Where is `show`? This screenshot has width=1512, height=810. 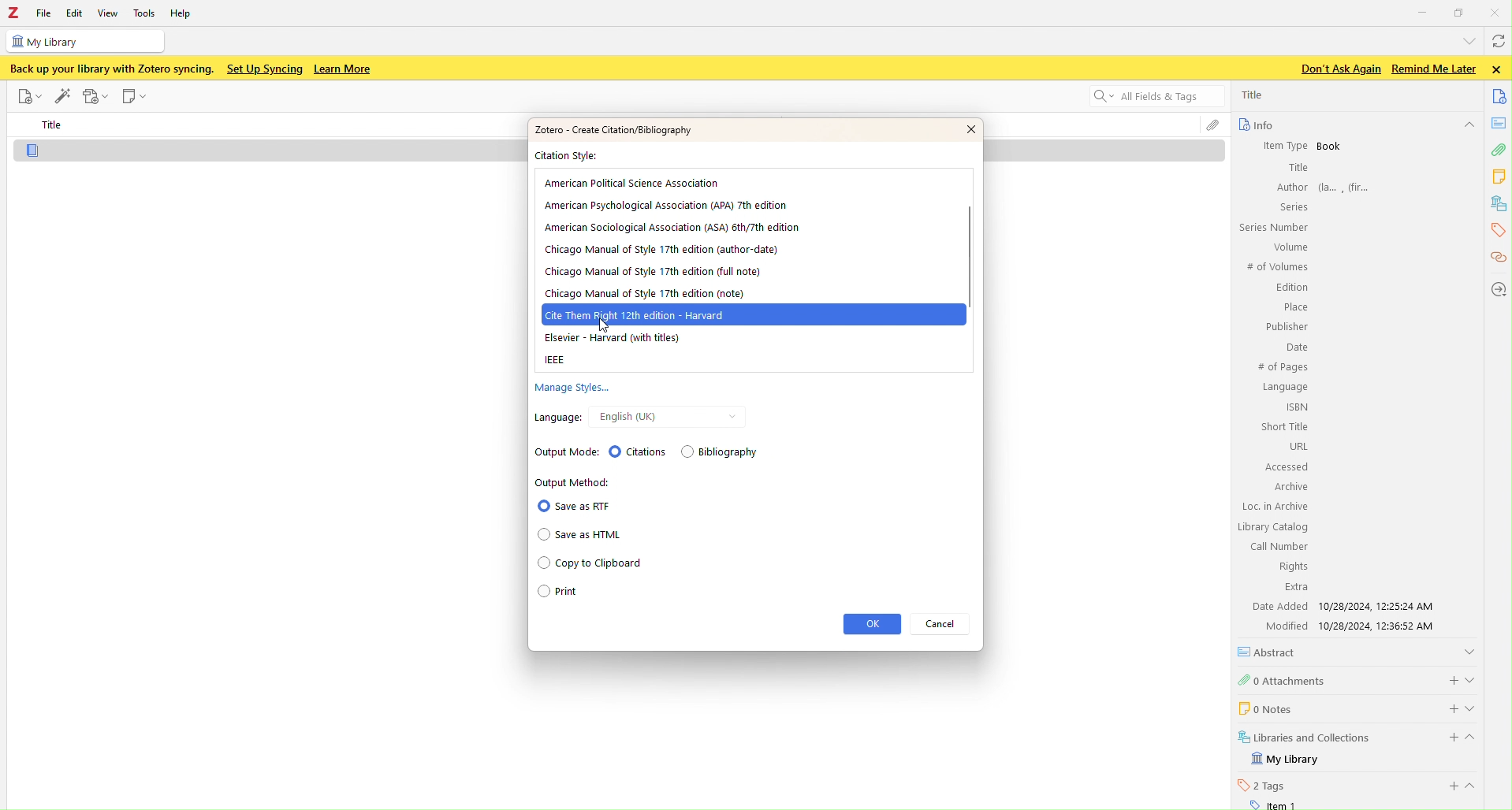 show is located at coordinates (1469, 650).